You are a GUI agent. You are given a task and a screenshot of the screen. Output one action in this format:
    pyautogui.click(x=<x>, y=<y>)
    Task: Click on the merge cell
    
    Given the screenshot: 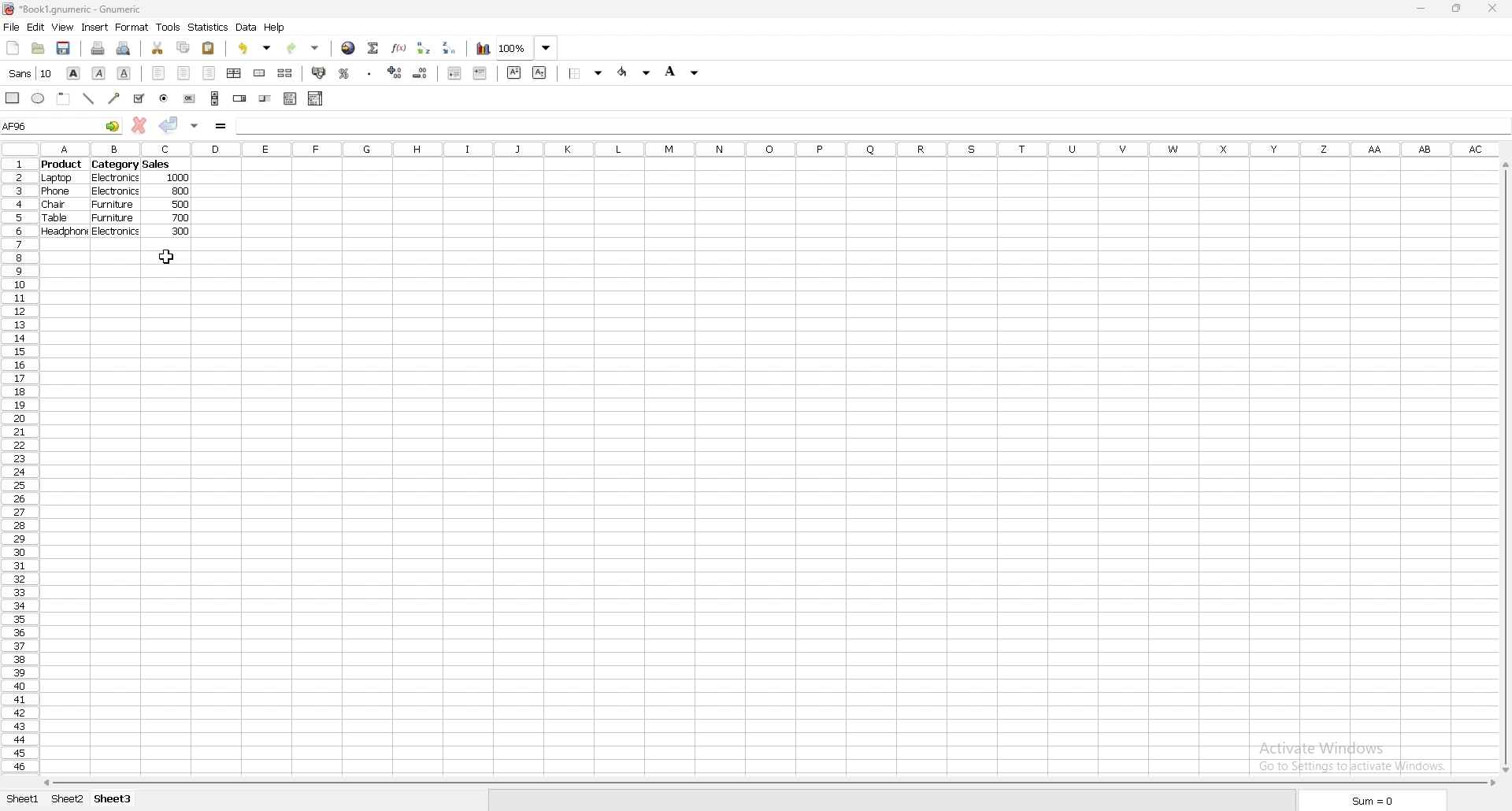 What is the action you would take?
    pyautogui.click(x=260, y=73)
    